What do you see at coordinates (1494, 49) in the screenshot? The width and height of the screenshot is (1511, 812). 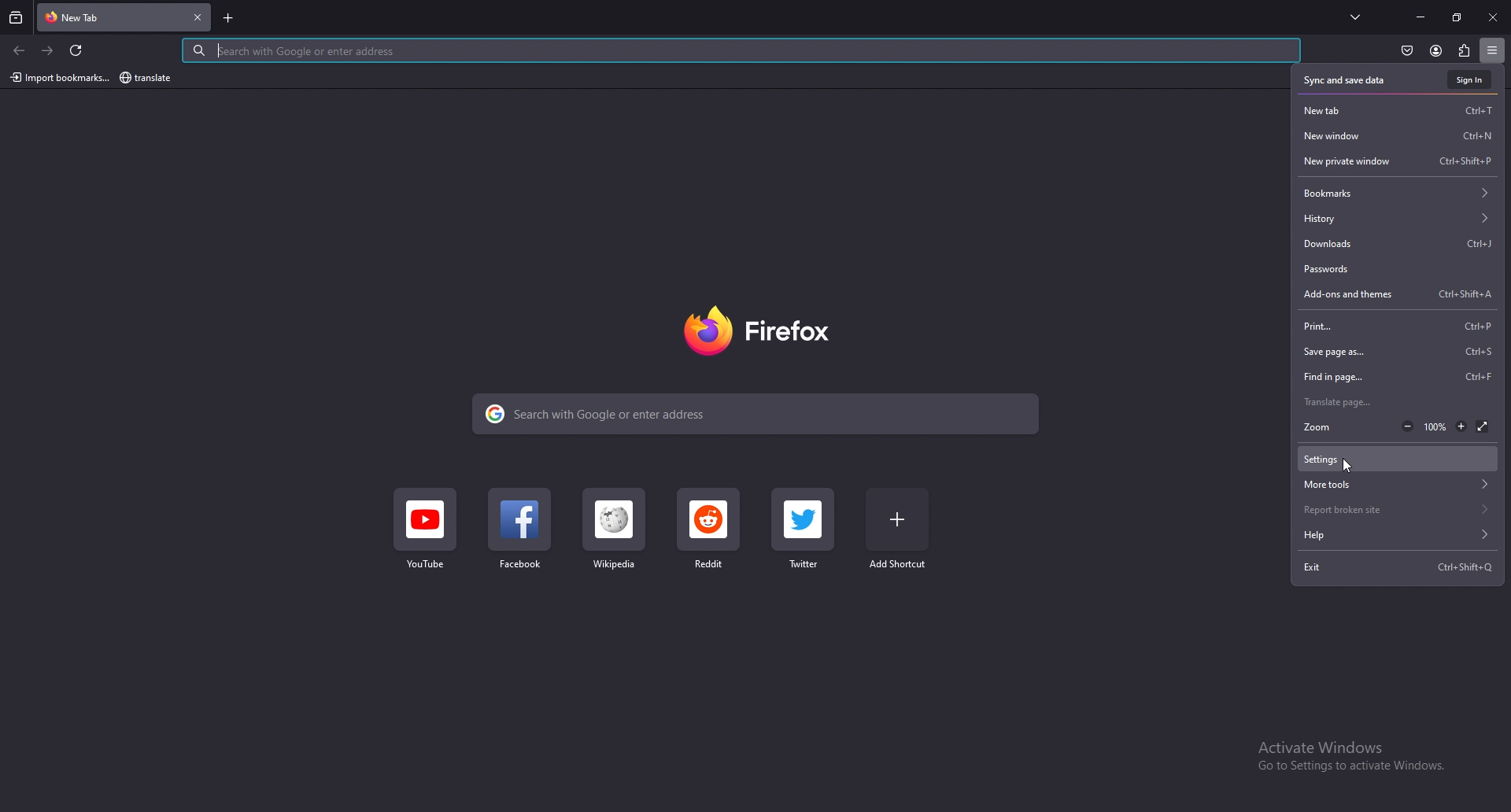 I see `options` at bounding box center [1494, 49].